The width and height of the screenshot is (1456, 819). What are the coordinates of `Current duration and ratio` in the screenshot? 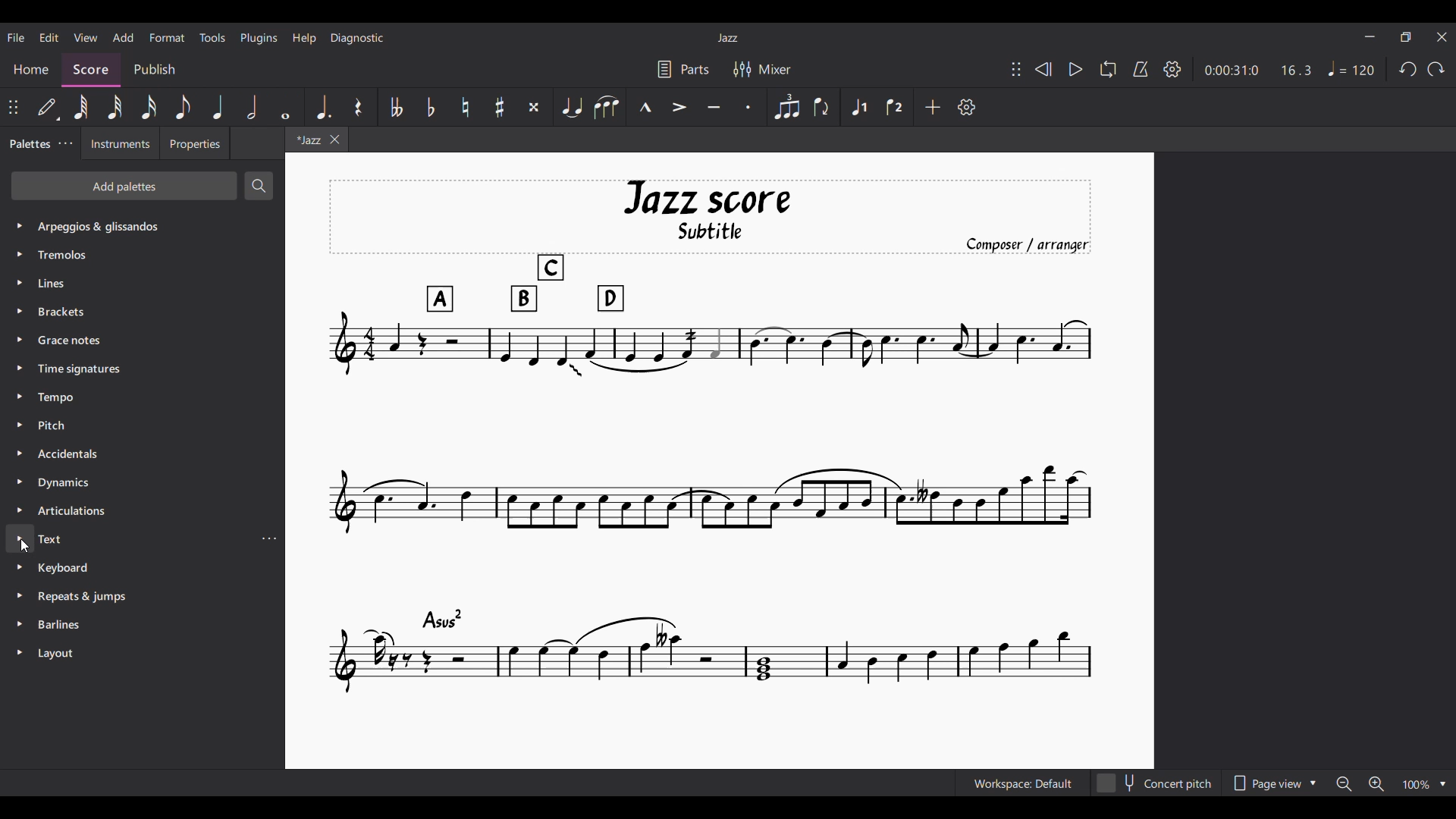 It's located at (1258, 70).